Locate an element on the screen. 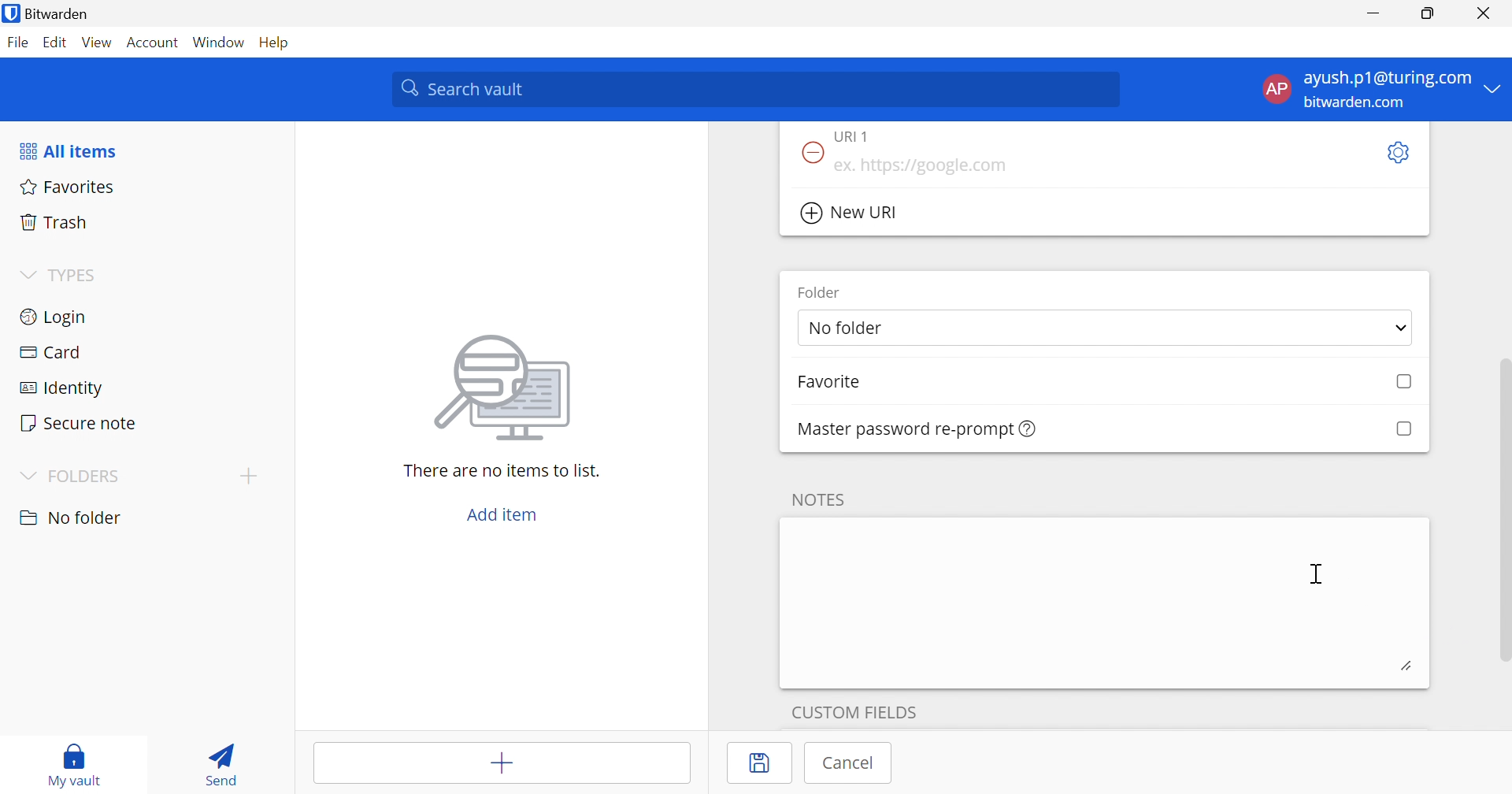  Send is located at coordinates (217, 761).